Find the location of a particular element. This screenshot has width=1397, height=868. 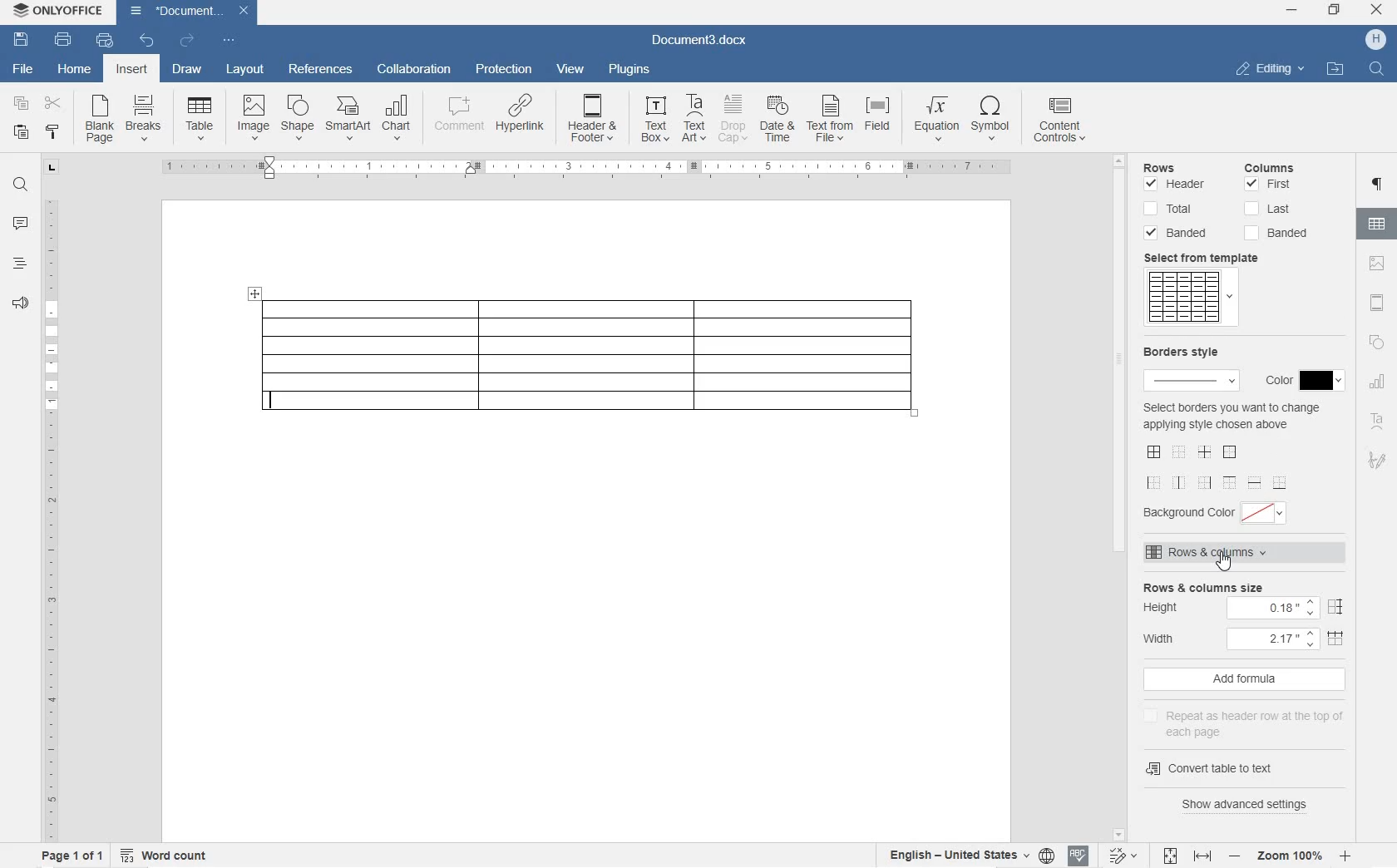

select border you want to change applying style chosen above is located at coordinates (1232, 445).